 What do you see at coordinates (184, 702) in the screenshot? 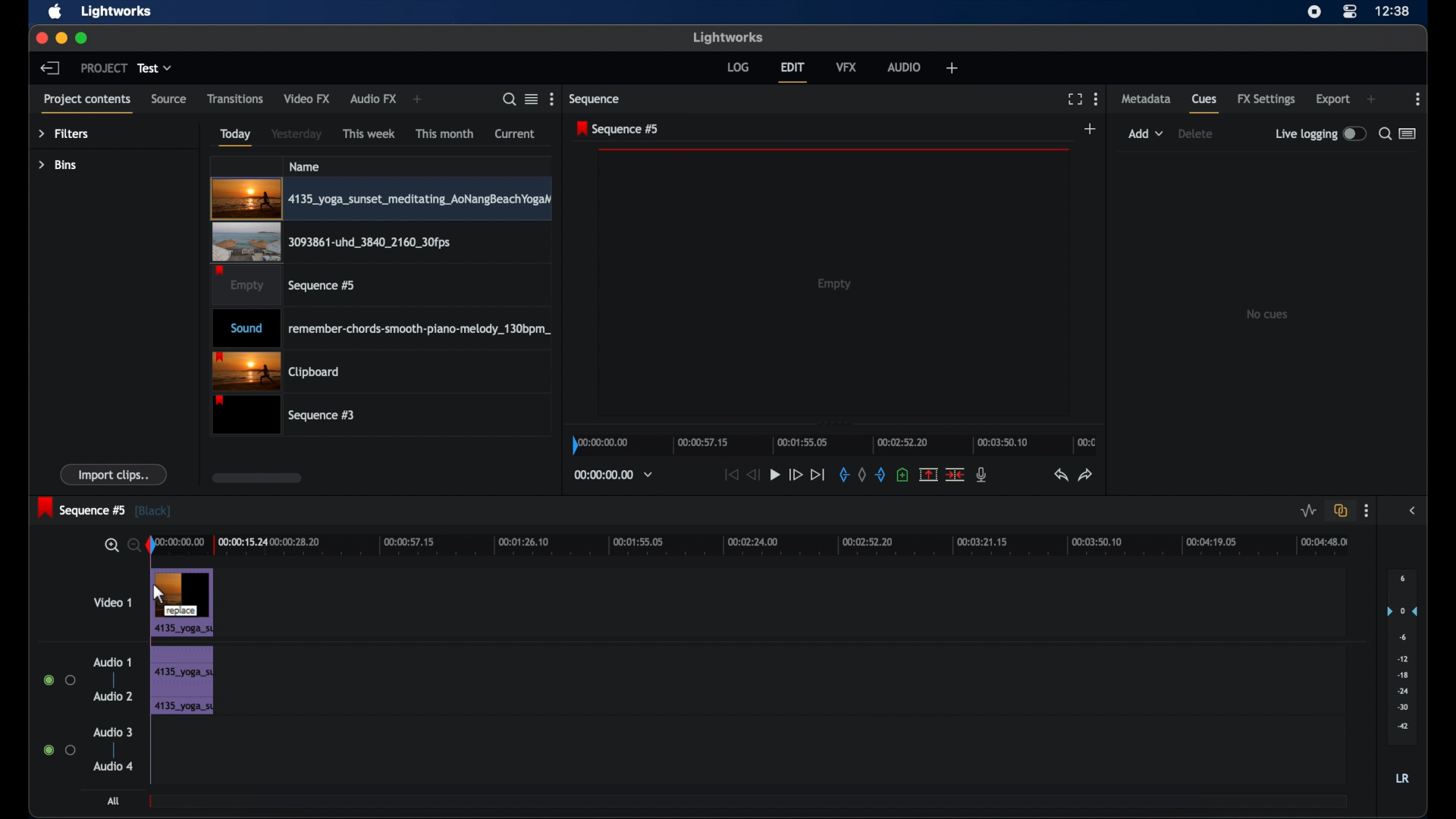
I see `audio clip` at bounding box center [184, 702].